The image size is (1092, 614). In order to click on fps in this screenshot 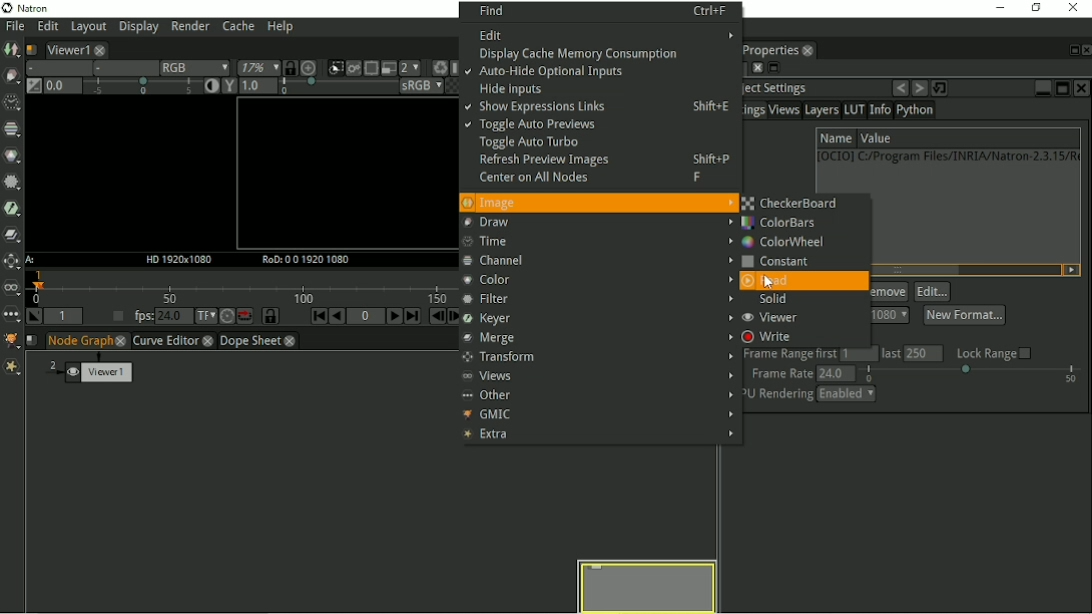, I will do `click(160, 316)`.